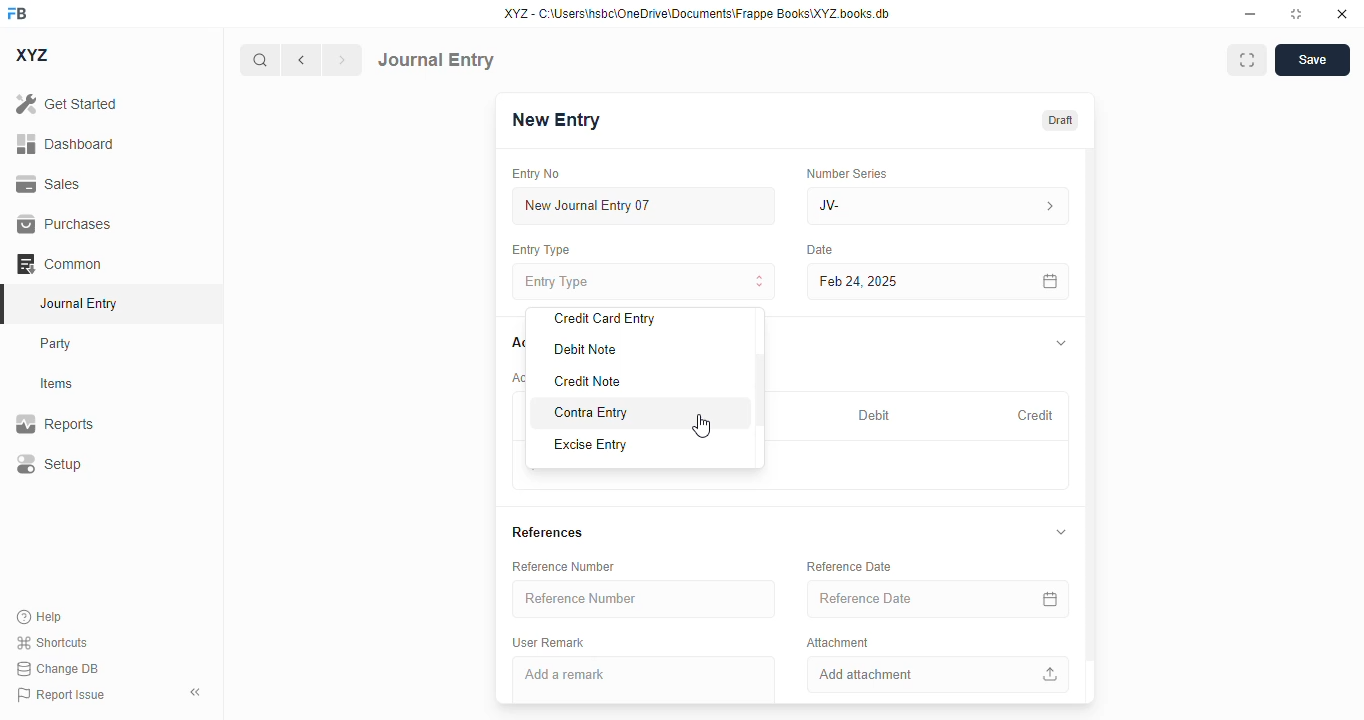 The height and width of the screenshot is (720, 1364). What do you see at coordinates (897, 598) in the screenshot?
I see `reference date` at bounding box center [897, 598].